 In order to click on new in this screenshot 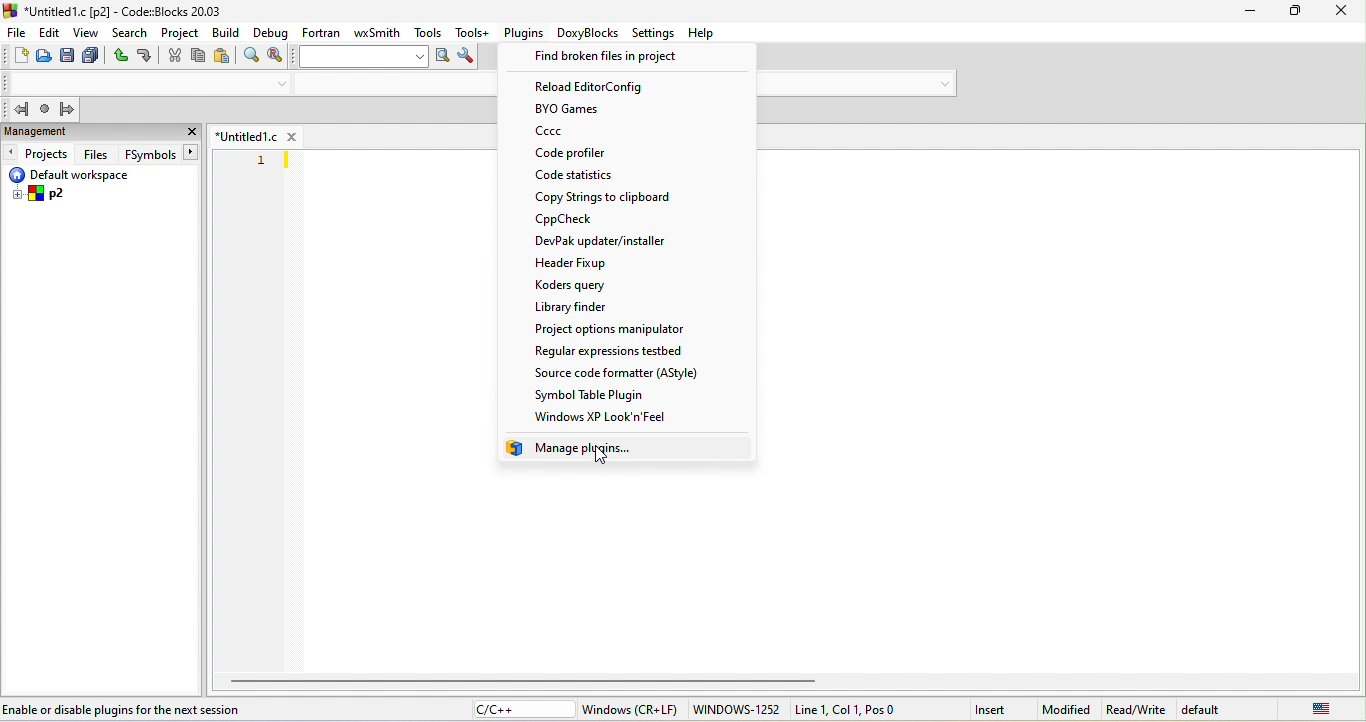, I will do `click(17, 55)`.